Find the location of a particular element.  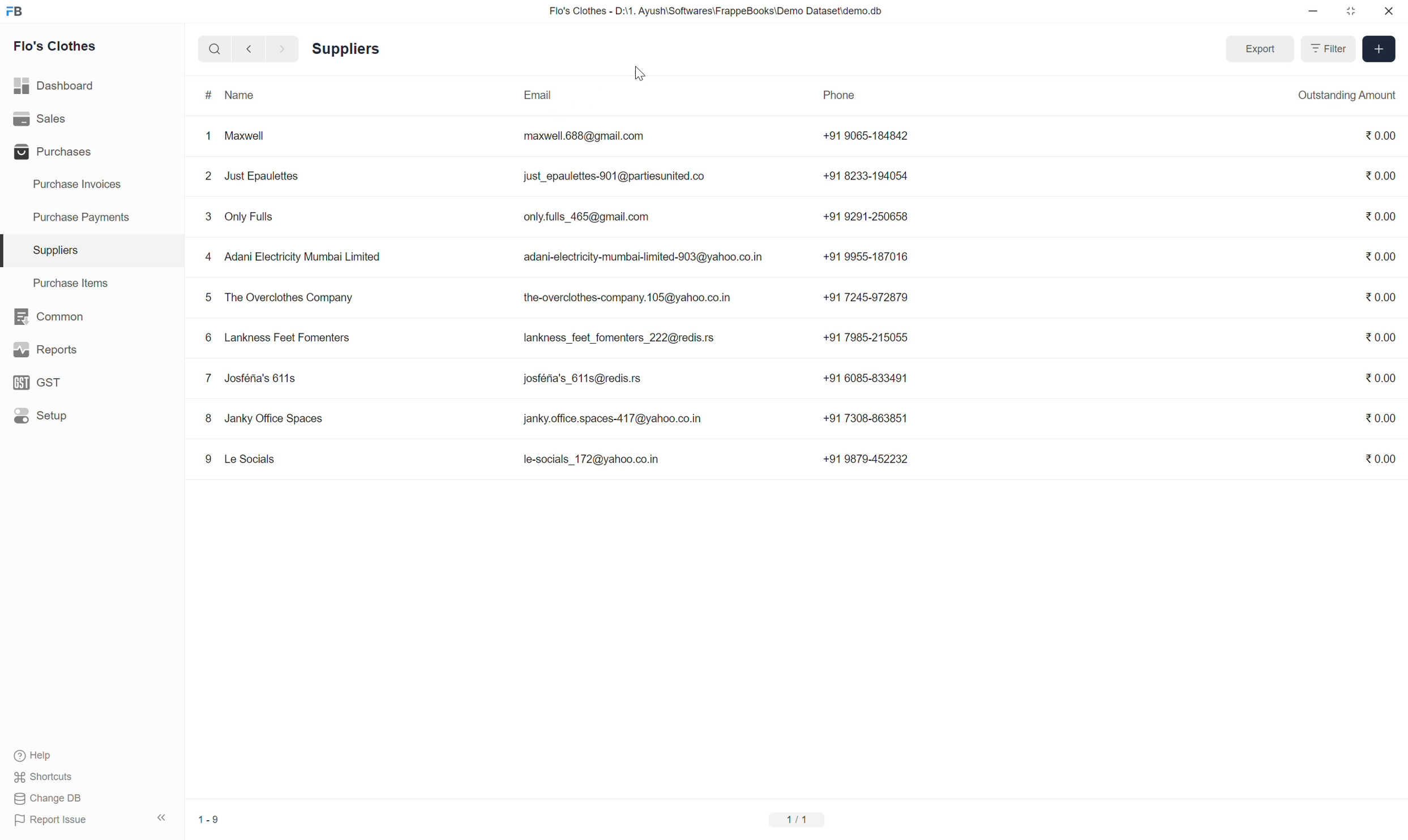

Maxwell is located at coordinates (246, 136).